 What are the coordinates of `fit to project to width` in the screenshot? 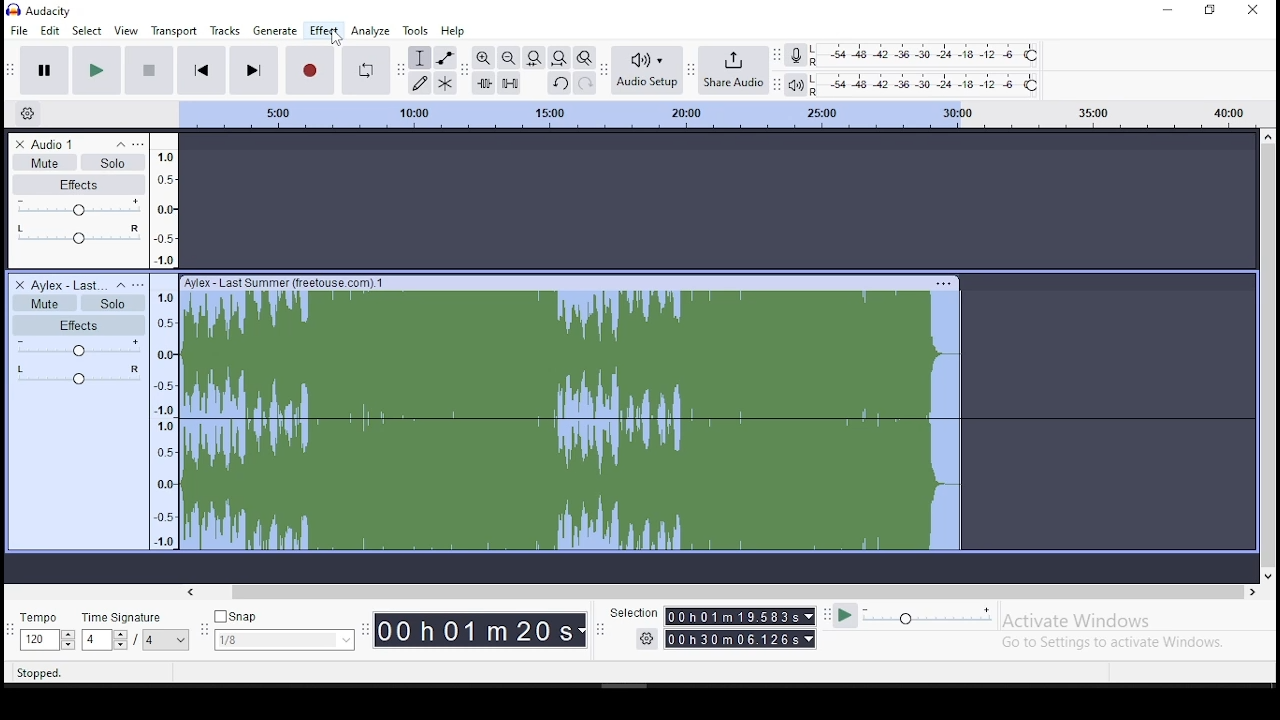 It's located at (559, 57).